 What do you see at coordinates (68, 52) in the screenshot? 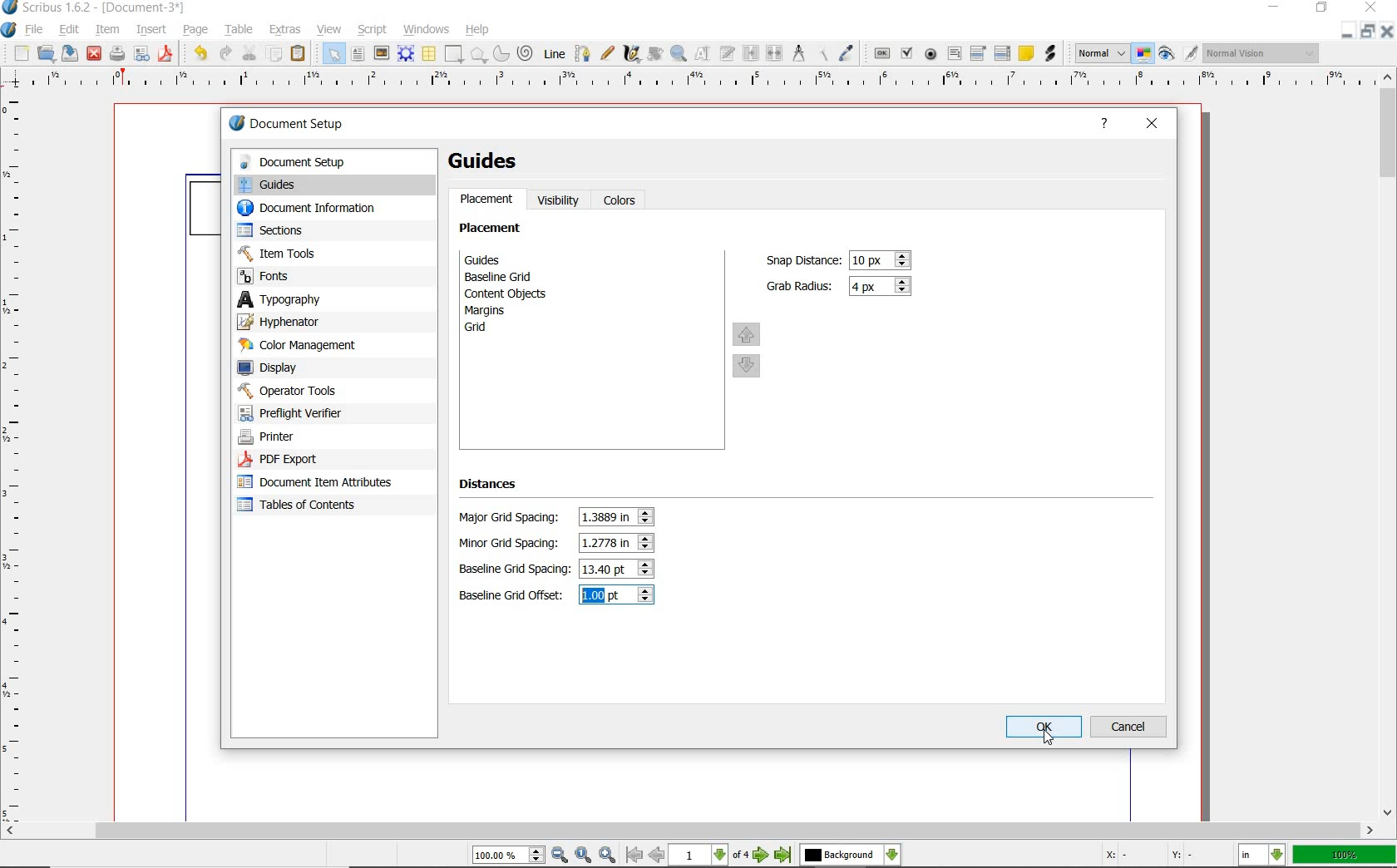
I see `save` at bounding box center [68, 52].